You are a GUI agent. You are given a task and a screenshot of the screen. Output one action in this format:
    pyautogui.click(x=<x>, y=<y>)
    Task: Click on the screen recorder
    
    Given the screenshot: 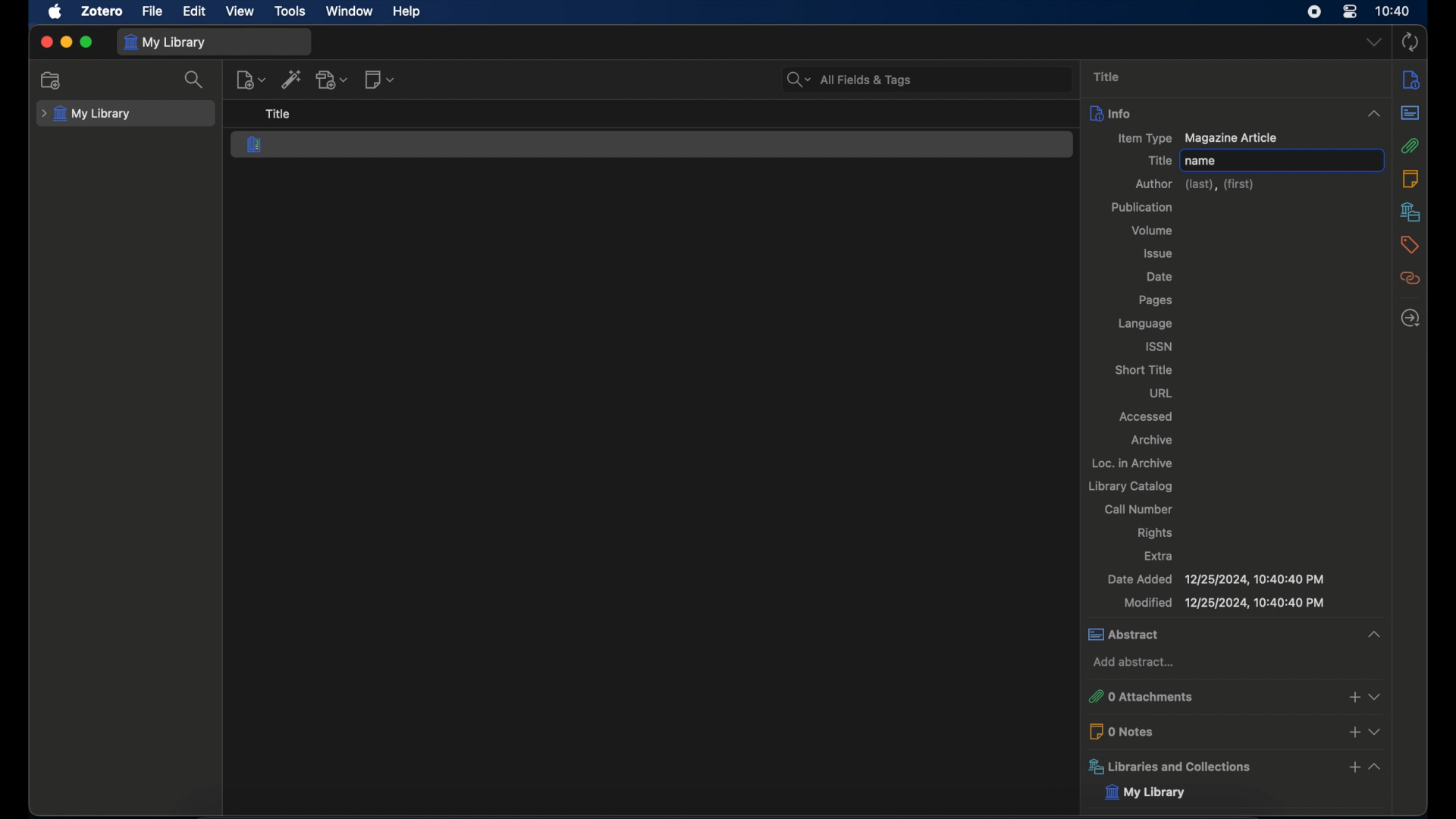 What is the action you would take?
    pyautogui.click(x=1316, y=12)
    